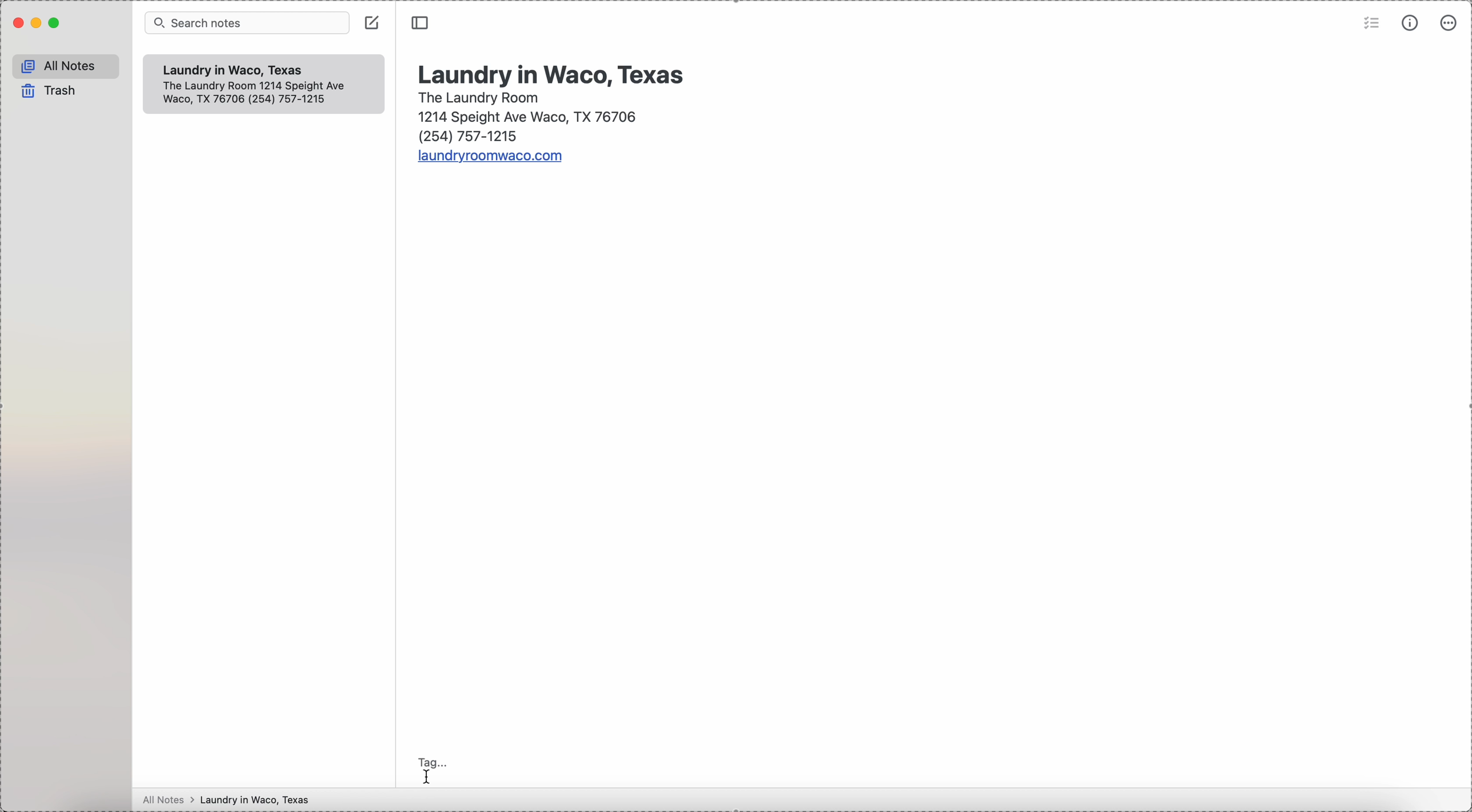 The image size is (1472, 812). I want to click on all notes, so click(62, 65).